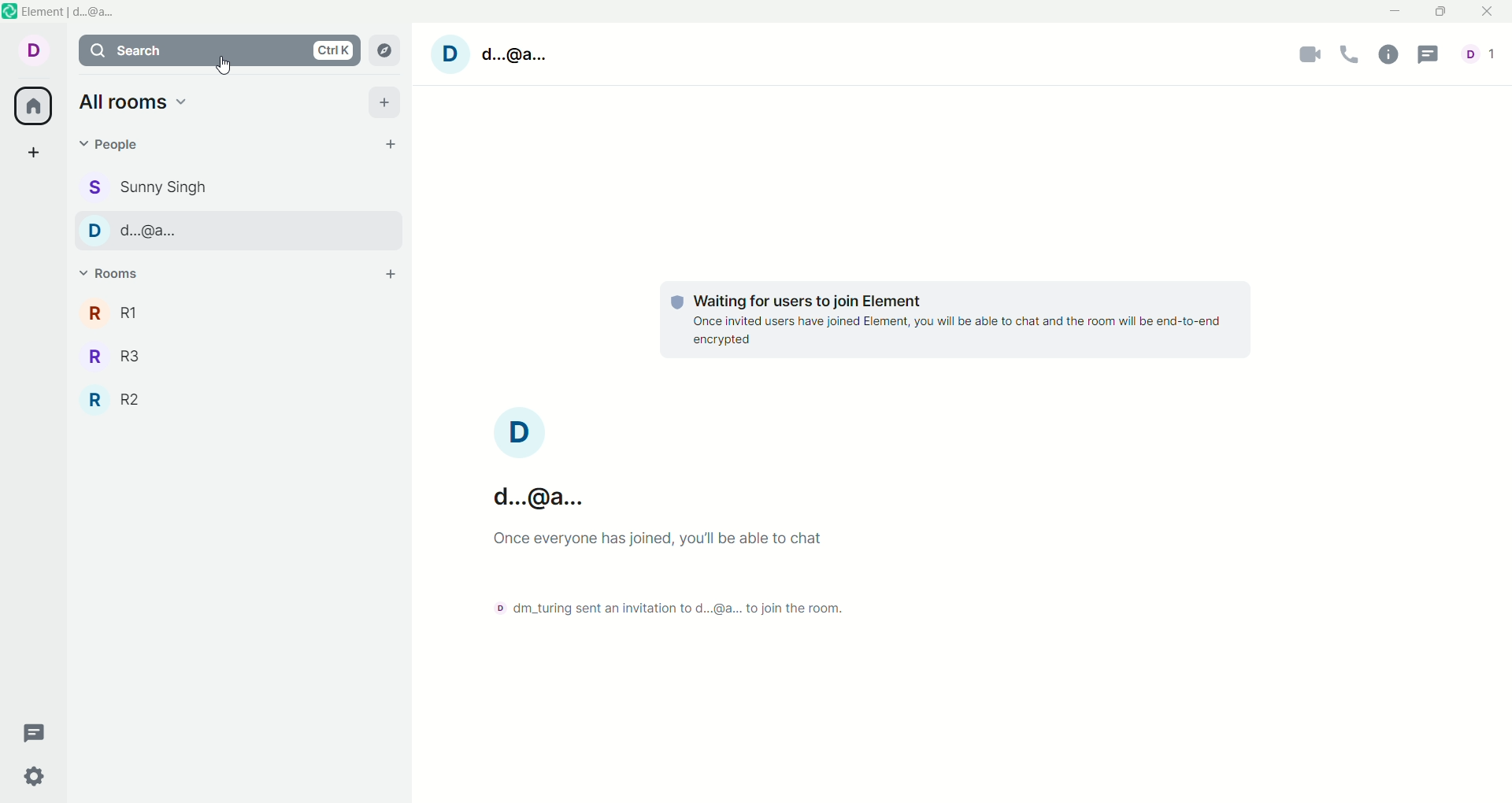  Describe the element at coordinates (129, 233) in the screenshot. I see `People` at that location.